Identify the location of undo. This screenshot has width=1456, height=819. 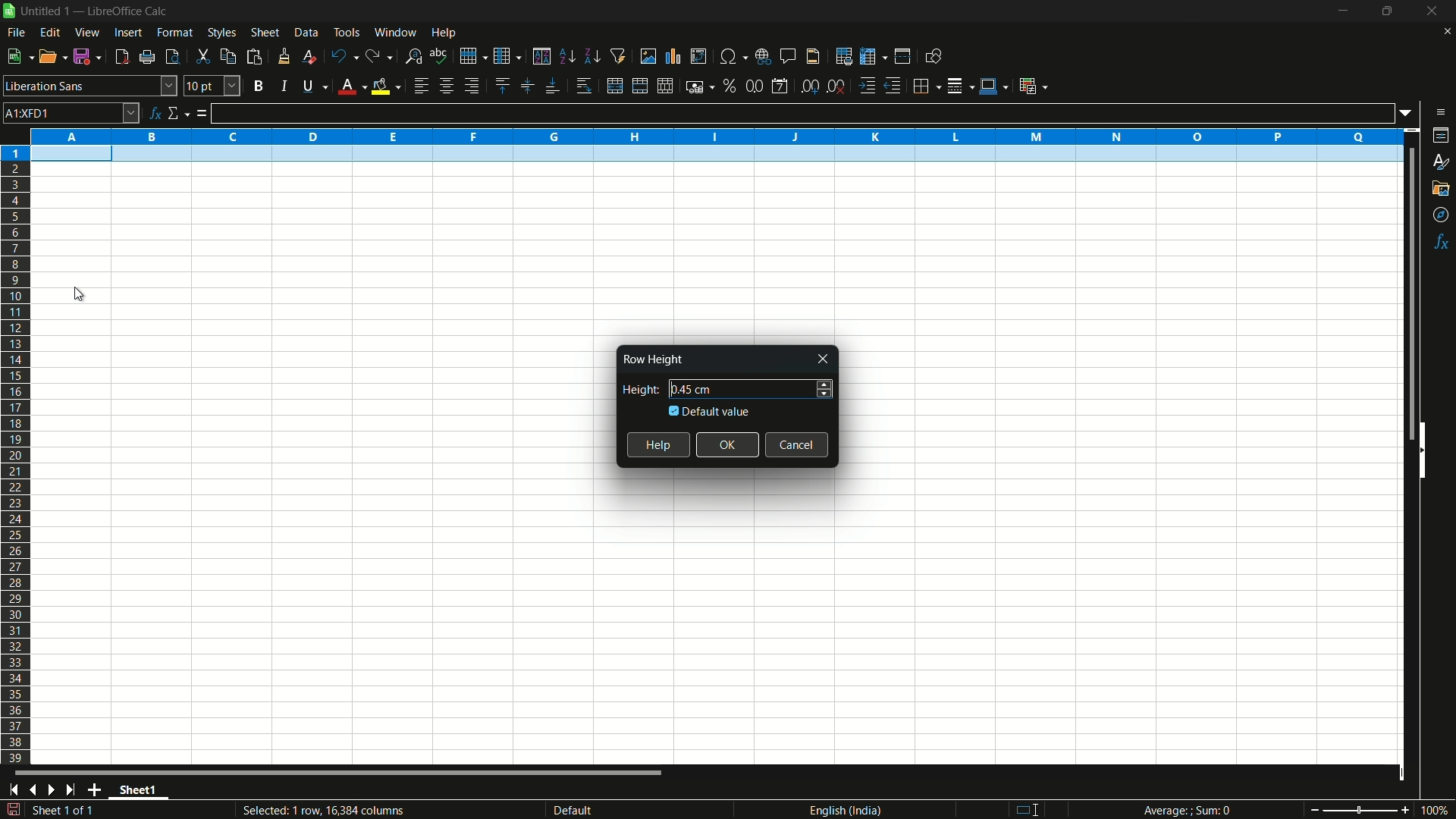
(341, 55).